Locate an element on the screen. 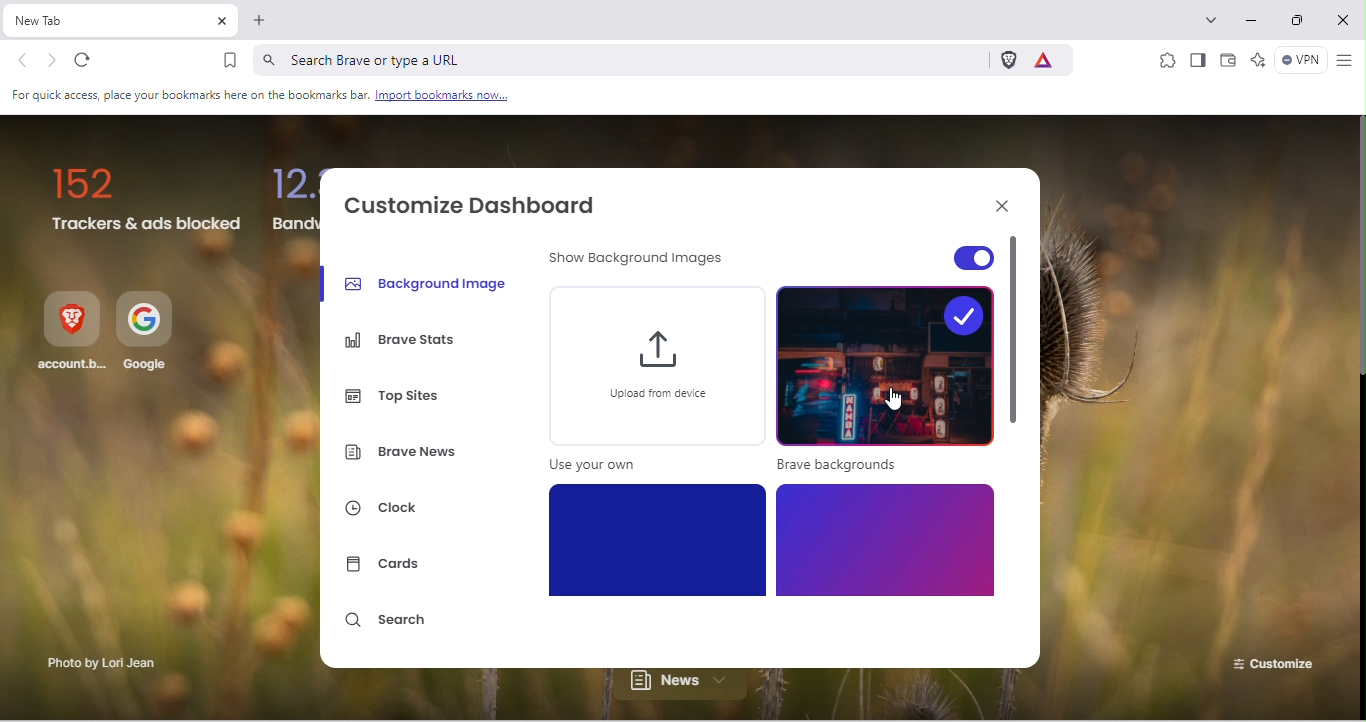  Brave rewards is located at coordinates (1049, 59).